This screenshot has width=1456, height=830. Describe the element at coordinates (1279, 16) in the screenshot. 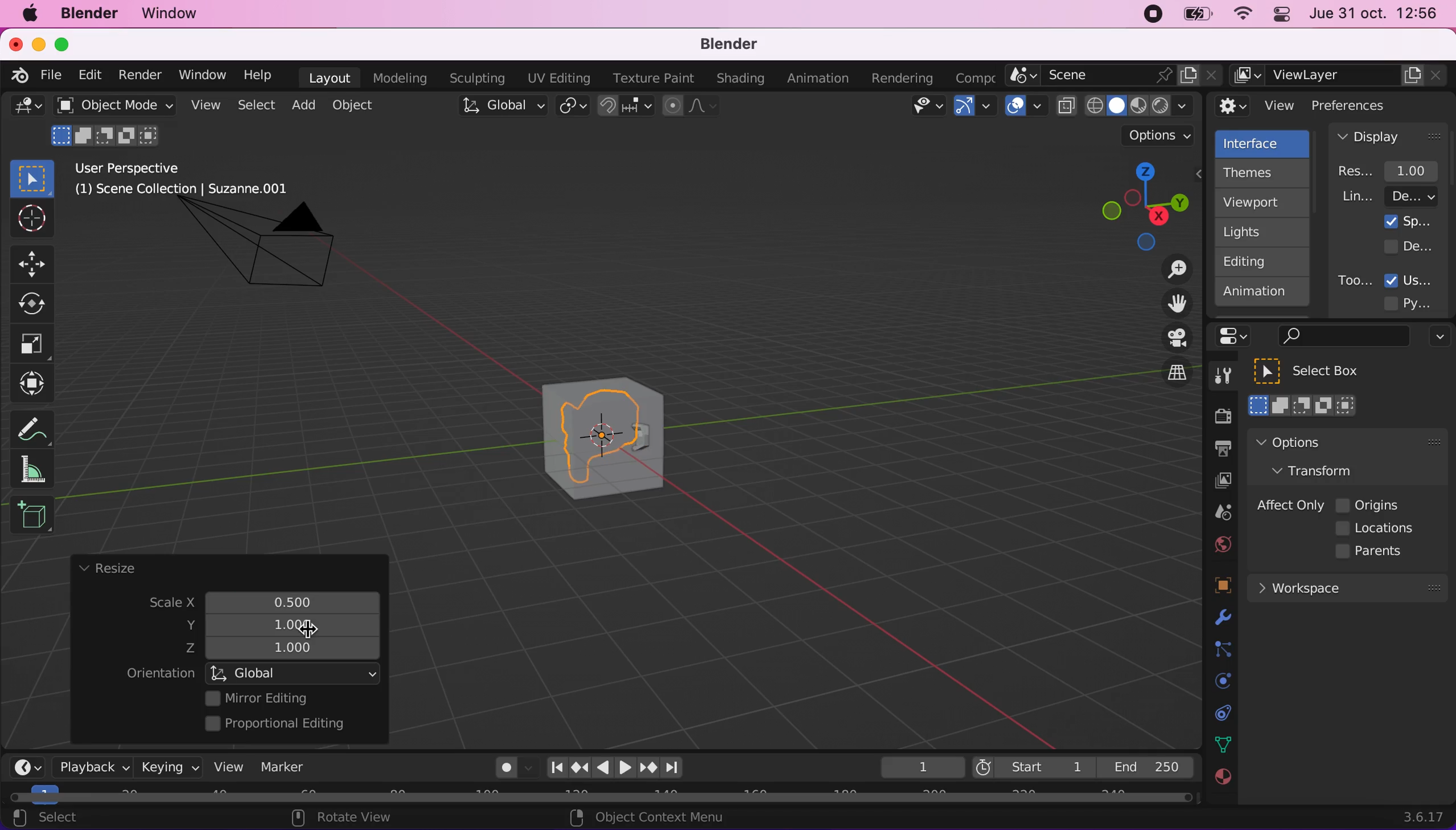

I see `panel control` at that location.